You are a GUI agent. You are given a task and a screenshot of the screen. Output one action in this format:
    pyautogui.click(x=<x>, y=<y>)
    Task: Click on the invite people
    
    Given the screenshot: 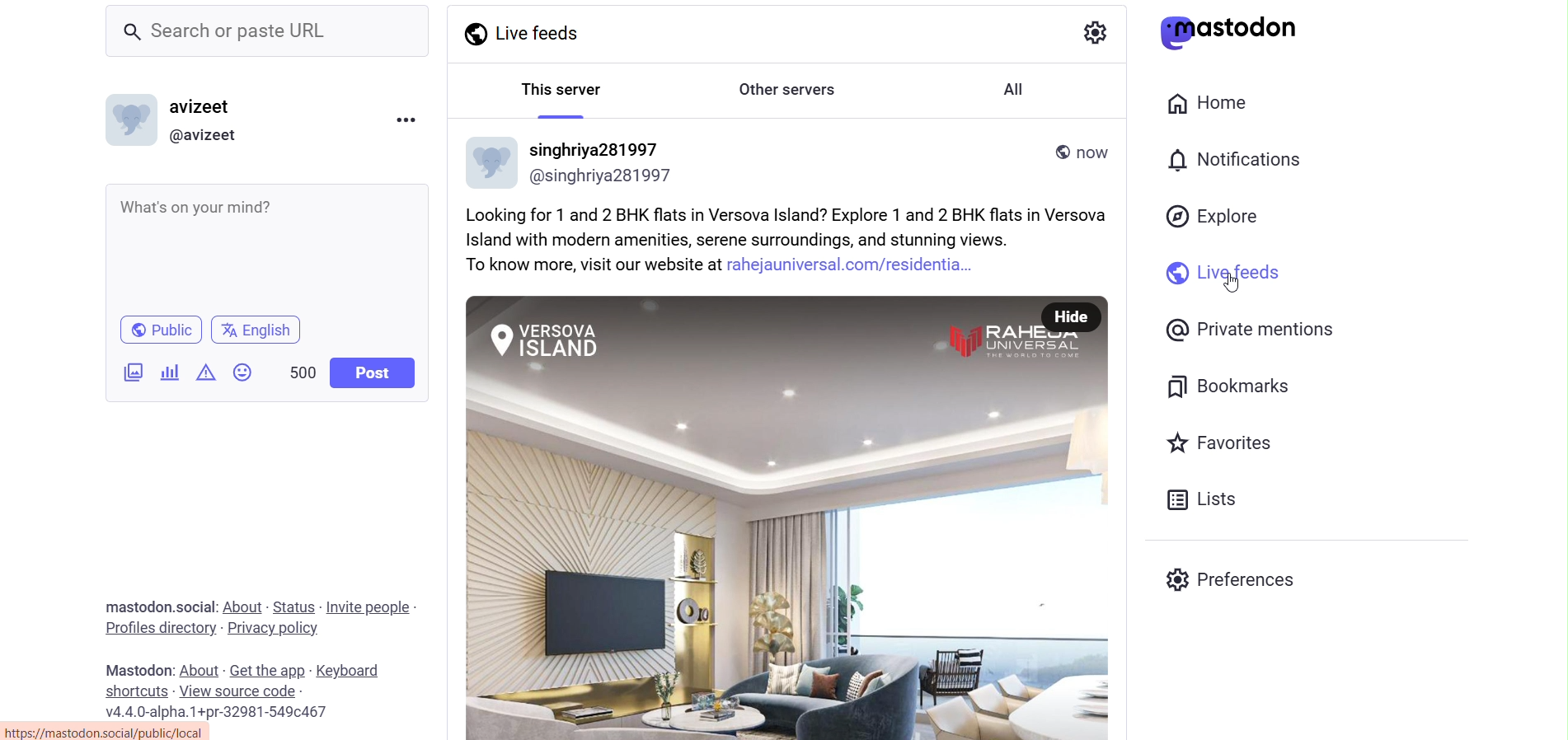 What is the action you would take?
    pyautogui.click(x=367, y=607)
    